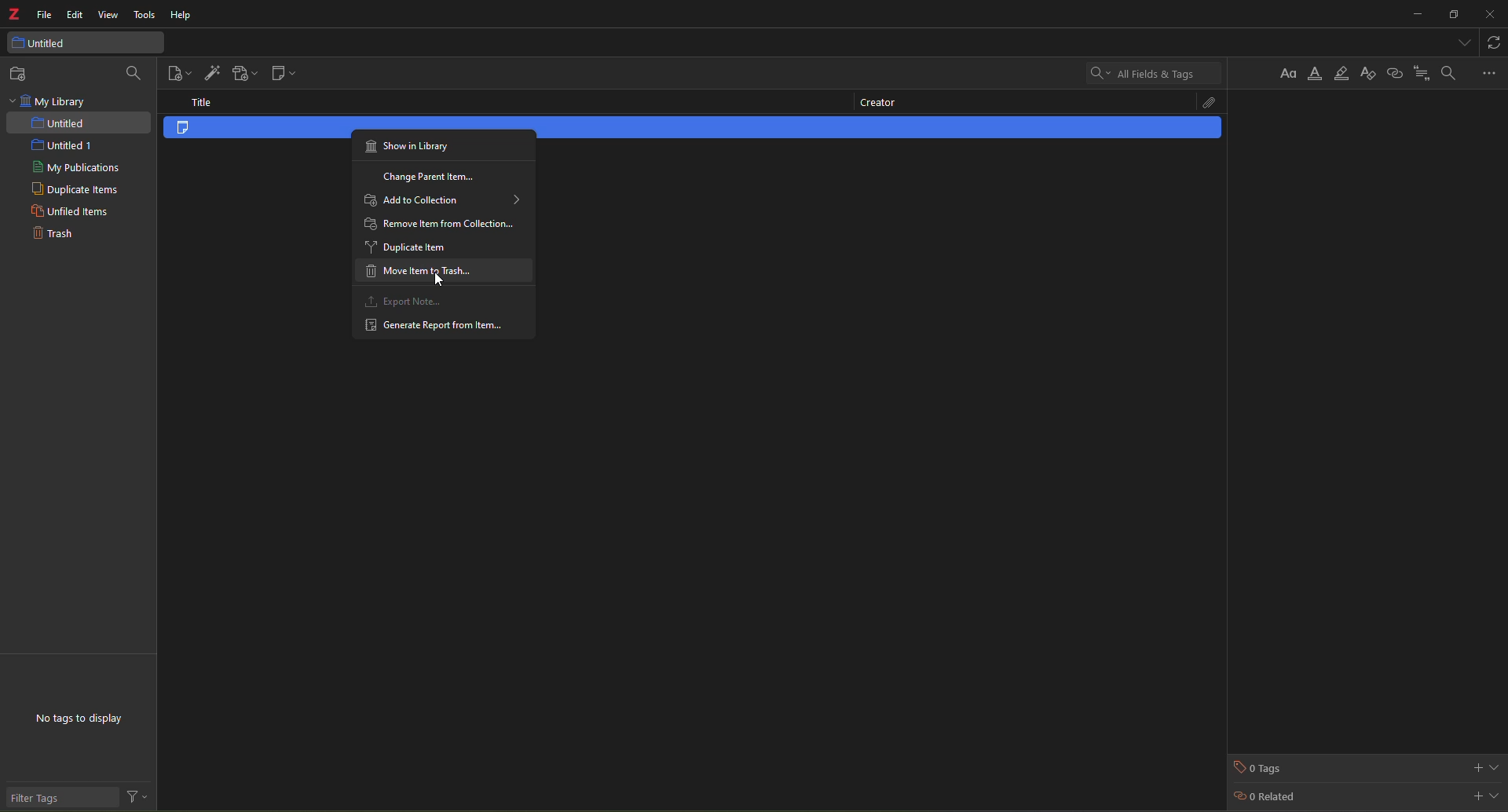  I want to click on export note, so click(406, 302).